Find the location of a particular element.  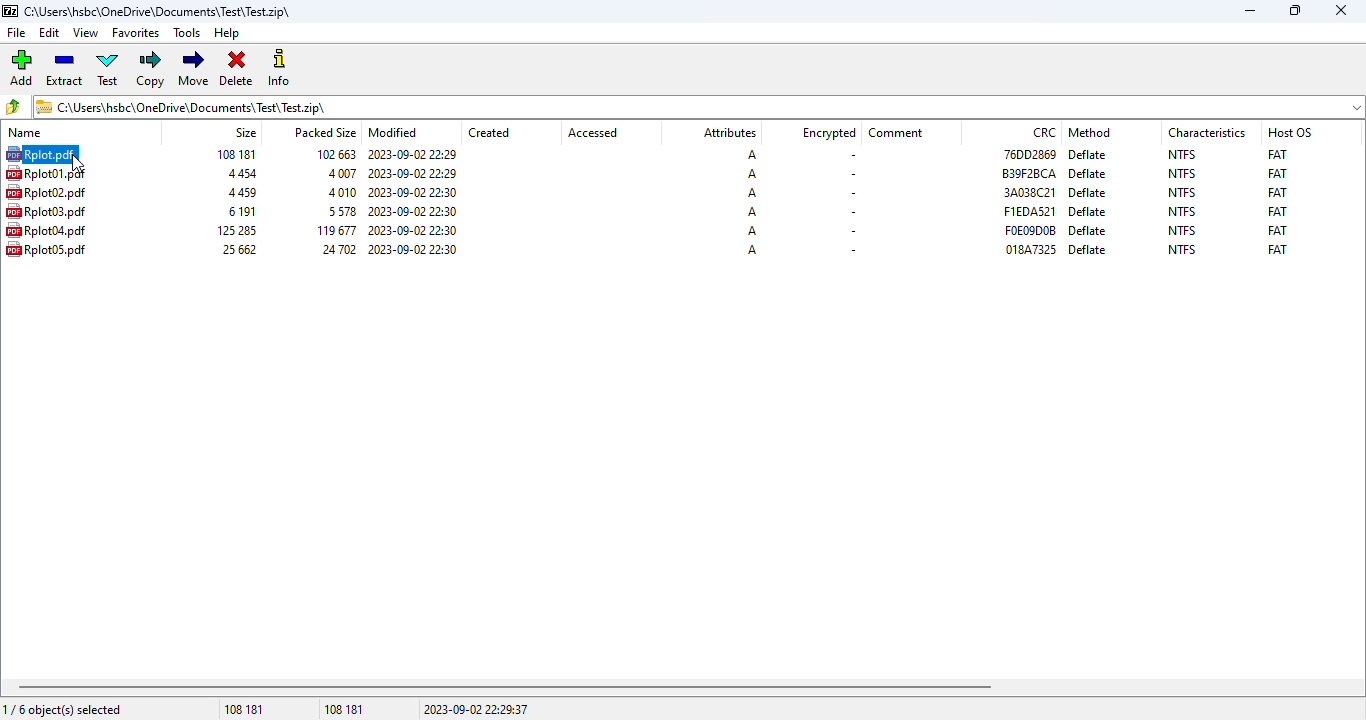

minimize is located at coordinates (1249, 11).